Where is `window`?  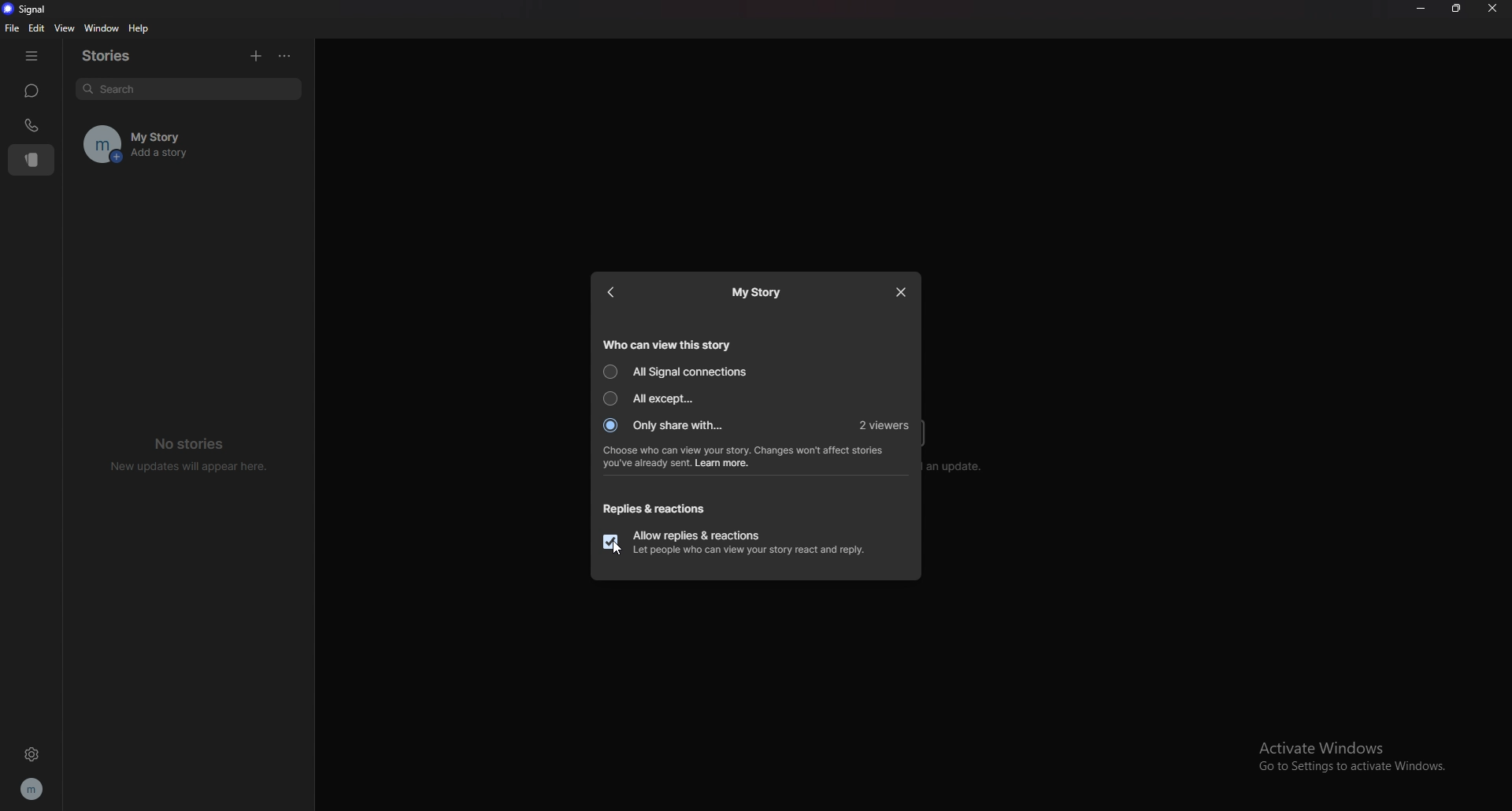 window is located at coordinates (100, 28).